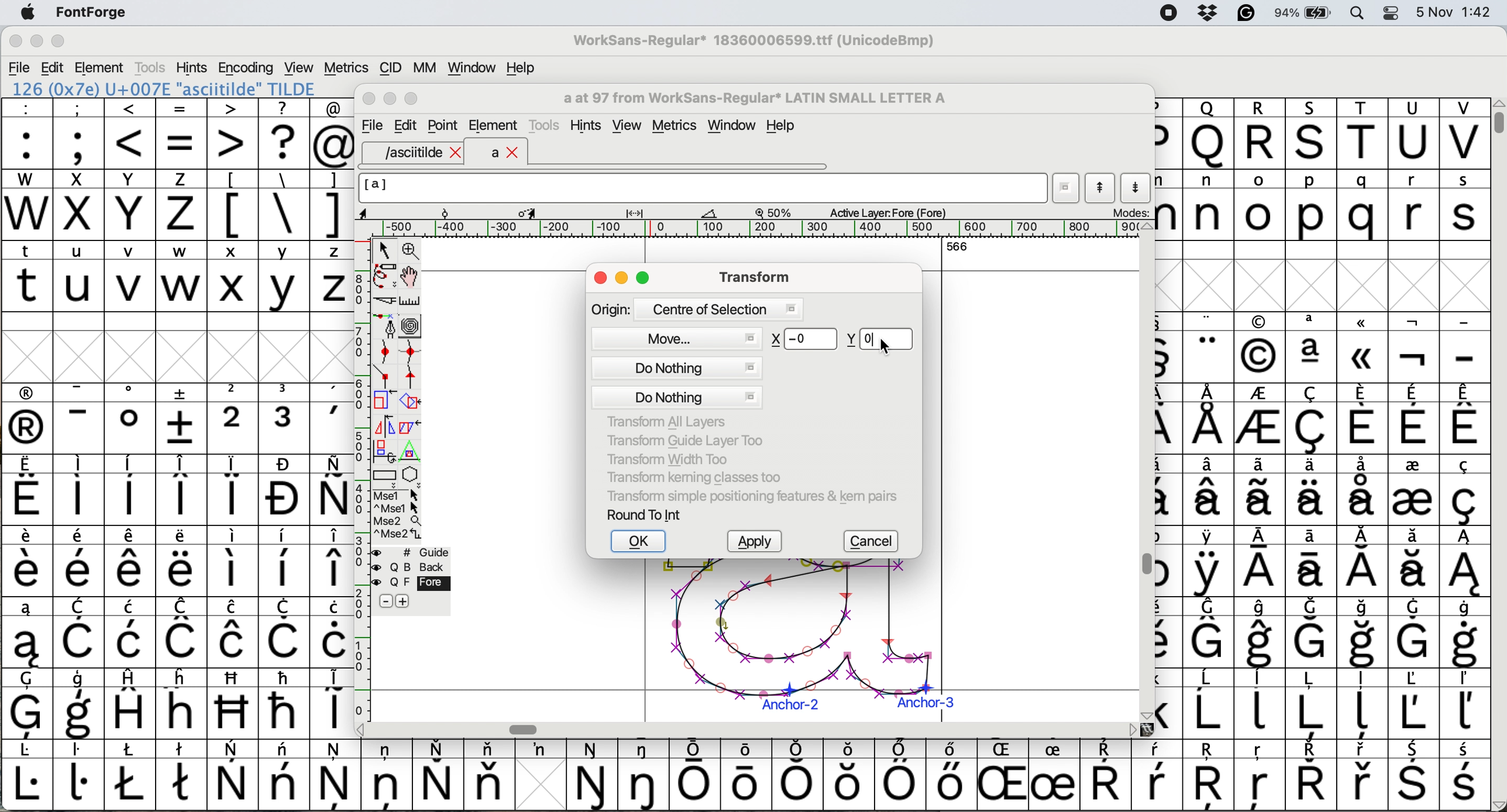 This screenshot has height=812, width=1507. Describe the element at coordinates (411, 474) in the screenshot. I see `star or polygon` at that location.